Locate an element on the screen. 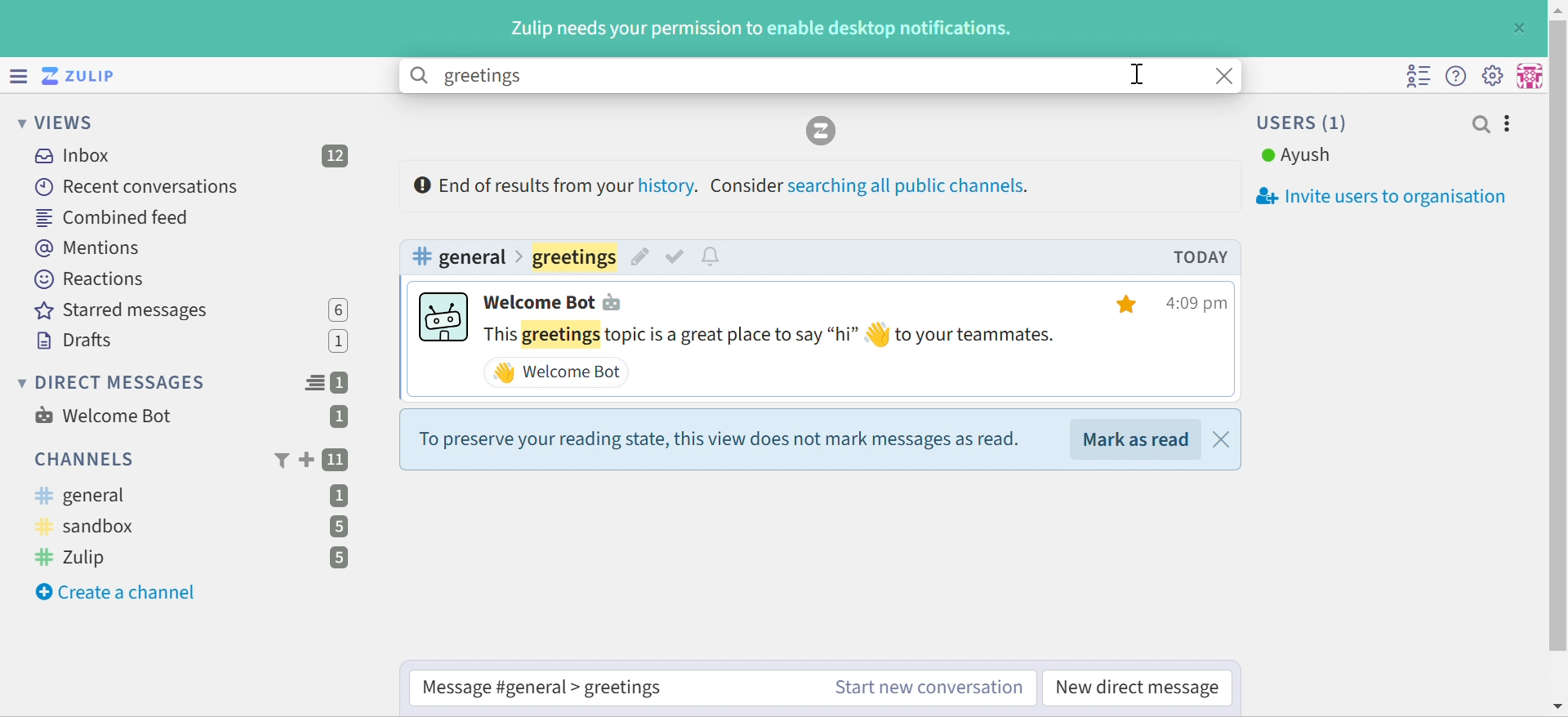 This screenshot has width=1568, height=717. 4:09 pm is located at coordinates (1200, 305).